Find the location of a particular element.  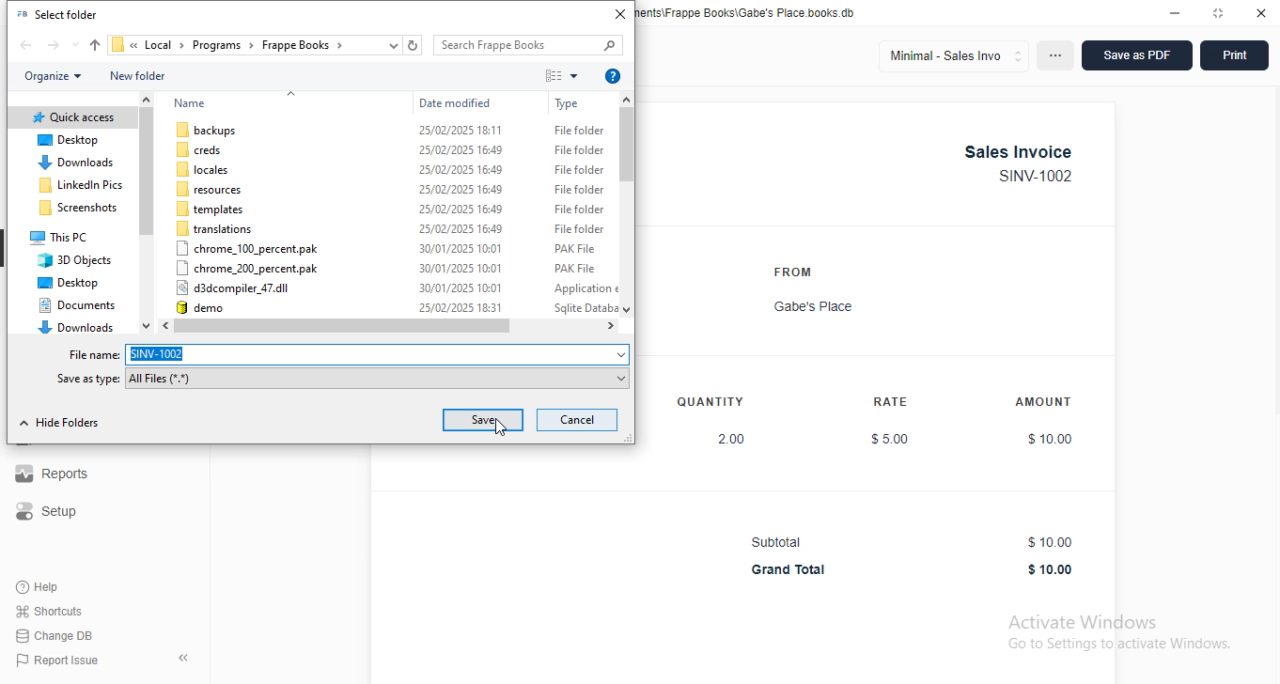

cancel is located at coordinates (577, 420).